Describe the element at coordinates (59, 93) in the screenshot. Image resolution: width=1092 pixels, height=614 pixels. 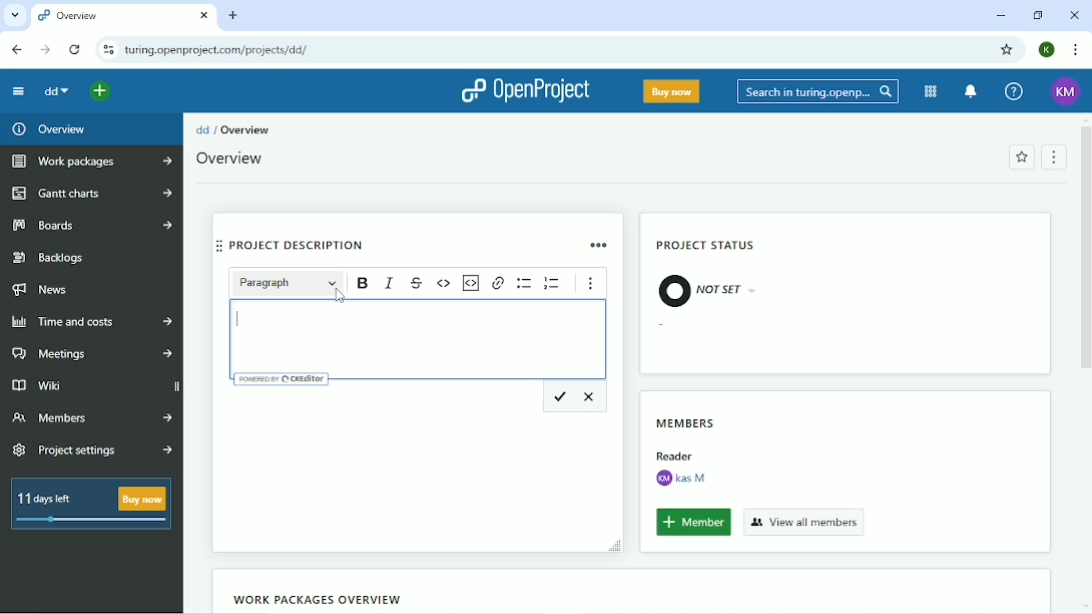
I see `dd` at that location.